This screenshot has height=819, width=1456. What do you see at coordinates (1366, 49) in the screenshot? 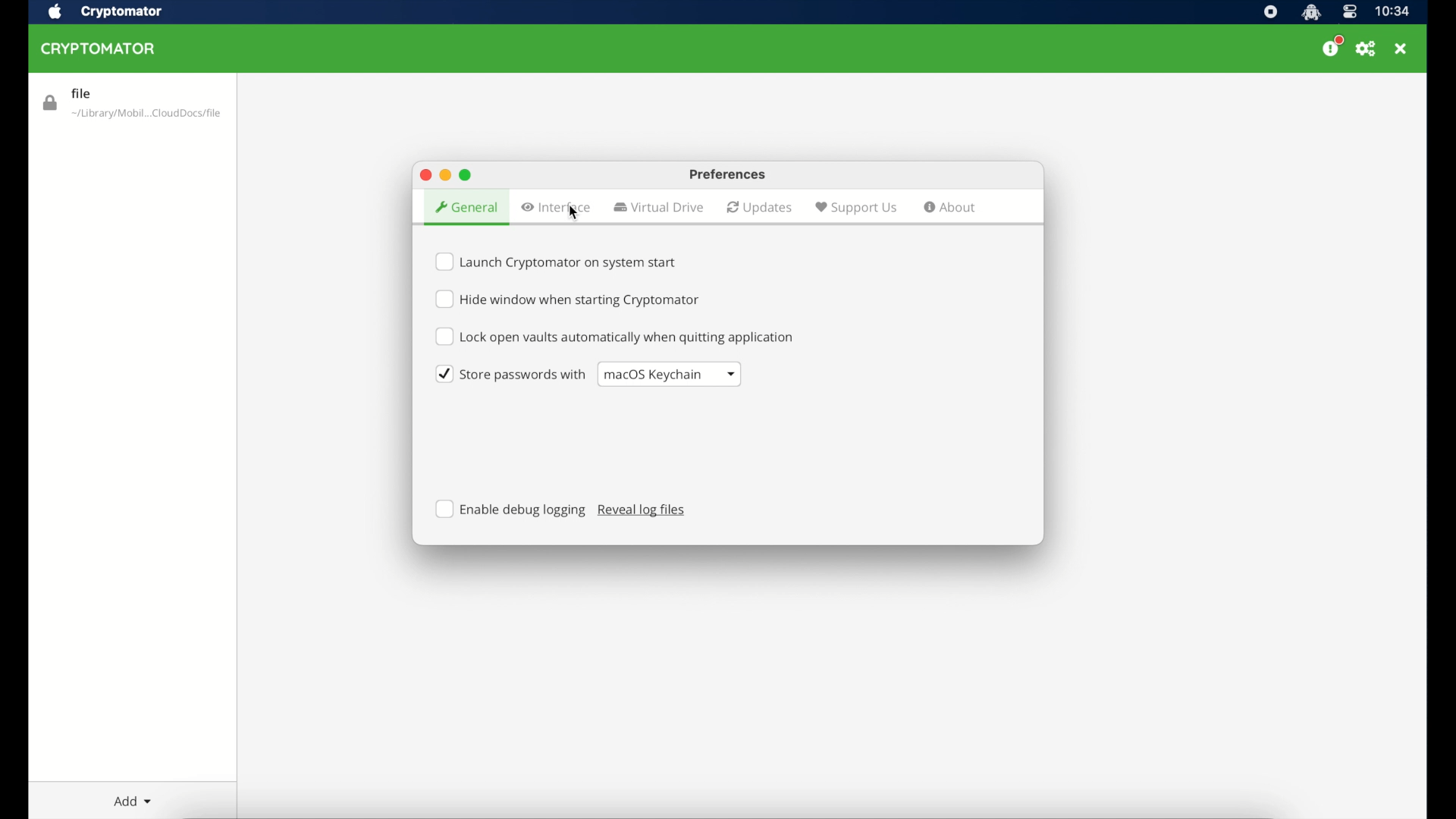
I see `preferences` at bounding box center [1366, 49].